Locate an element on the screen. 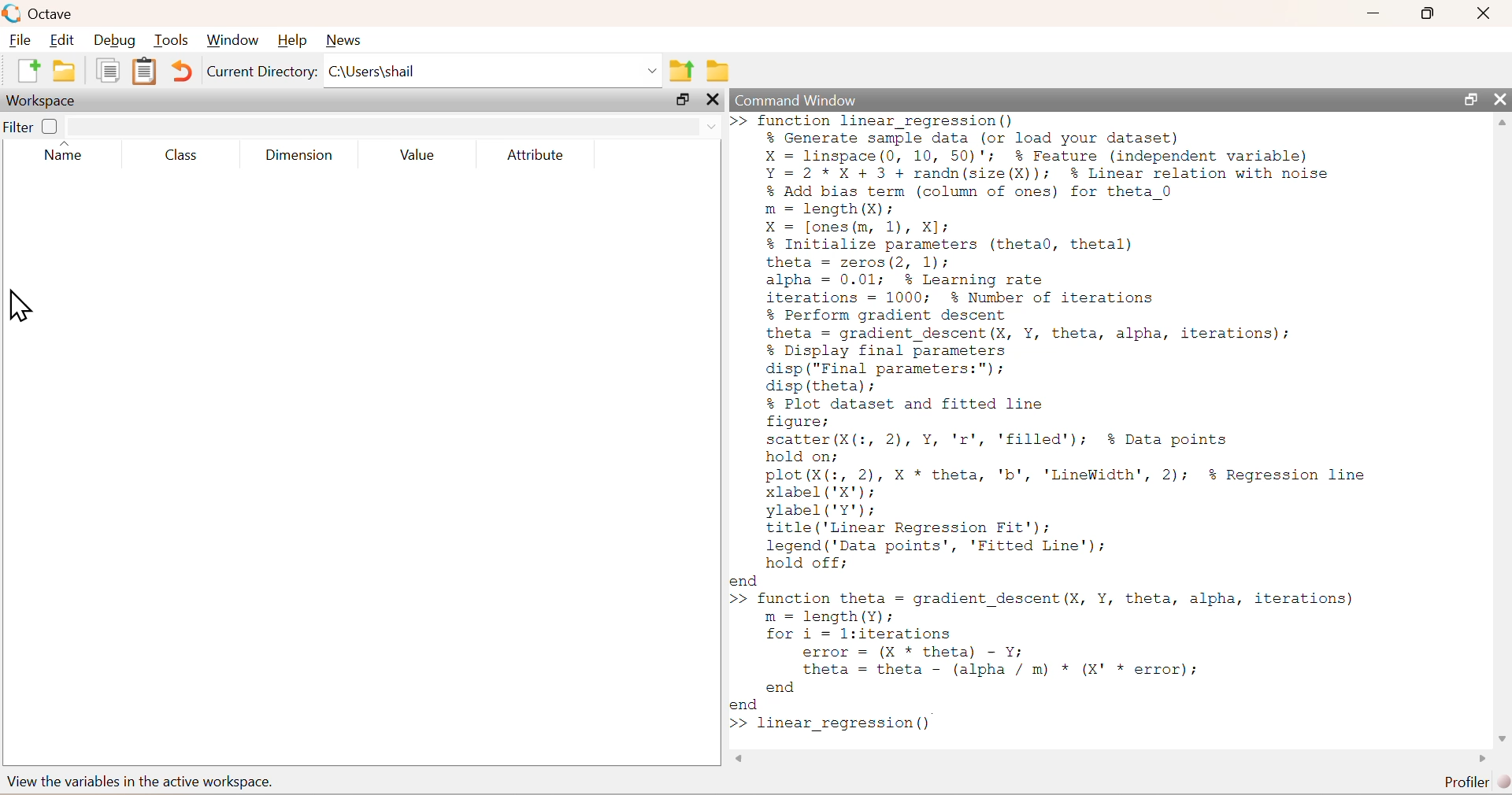 The image size is (1512, 795). scroll left is located at coordinates (1479, 759).